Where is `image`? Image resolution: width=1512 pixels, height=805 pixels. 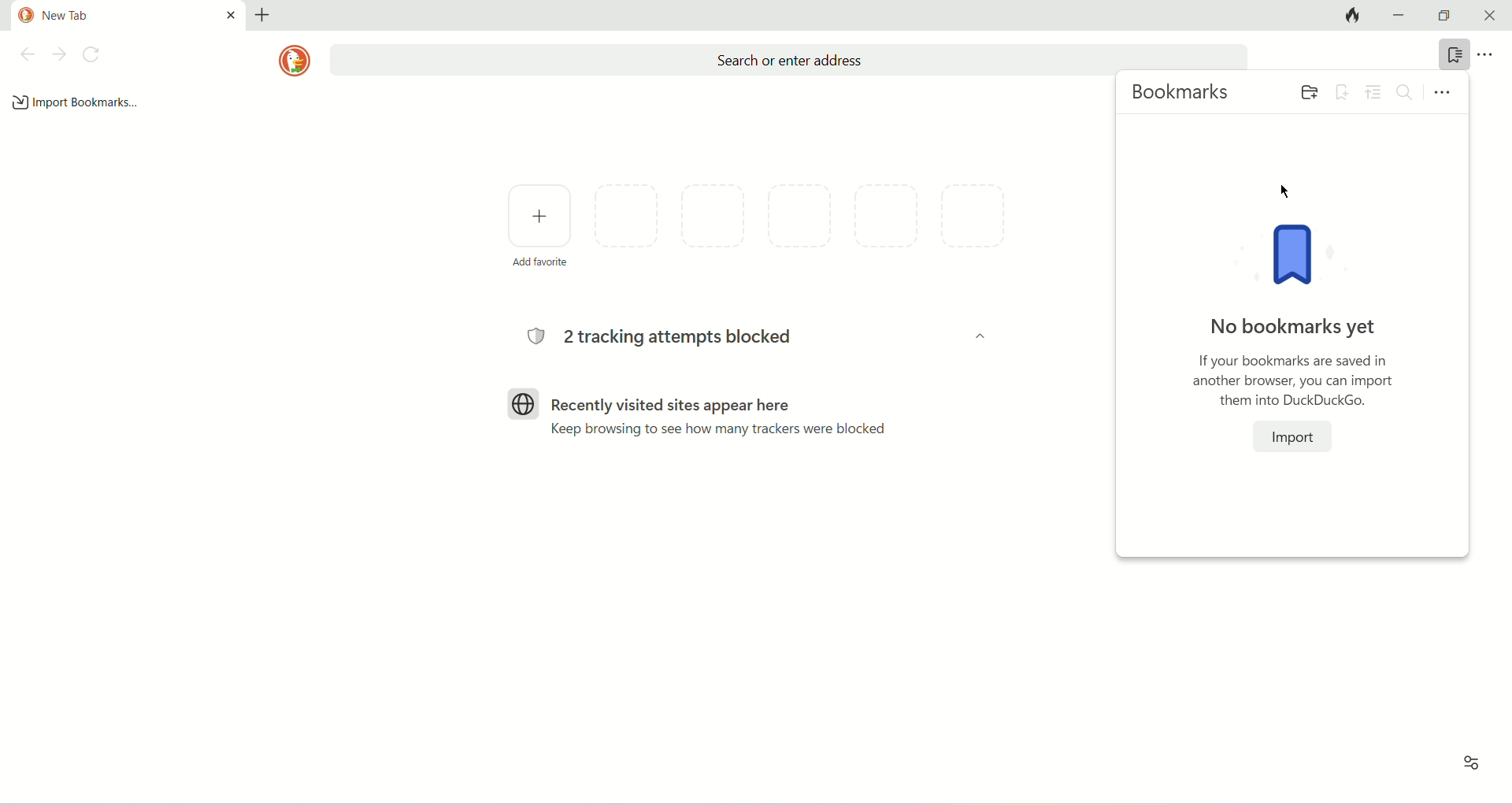 image is located at coordinates (1301, 257).